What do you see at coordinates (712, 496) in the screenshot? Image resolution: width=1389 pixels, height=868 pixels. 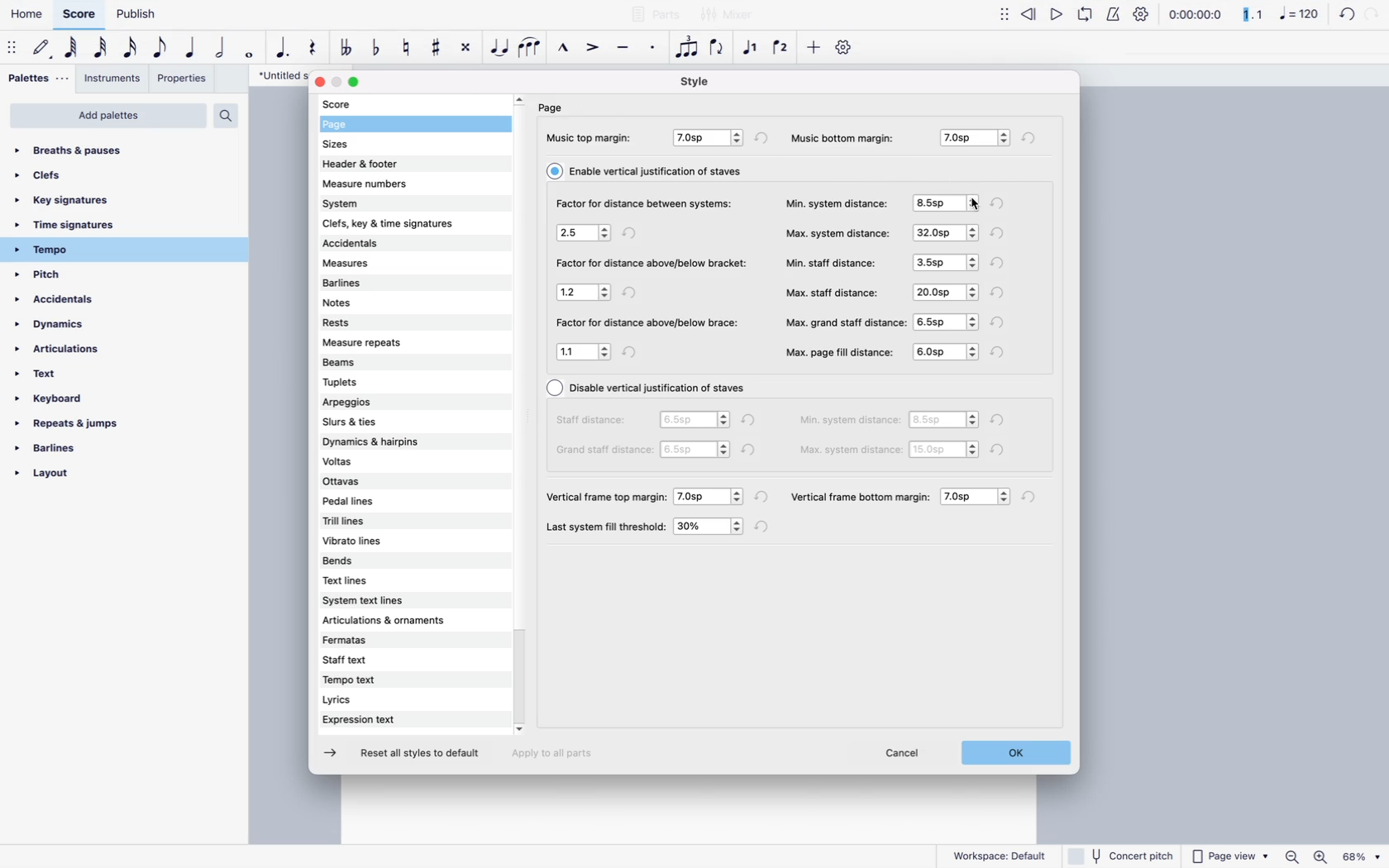 I see `options` at bounding box center [712, 496].